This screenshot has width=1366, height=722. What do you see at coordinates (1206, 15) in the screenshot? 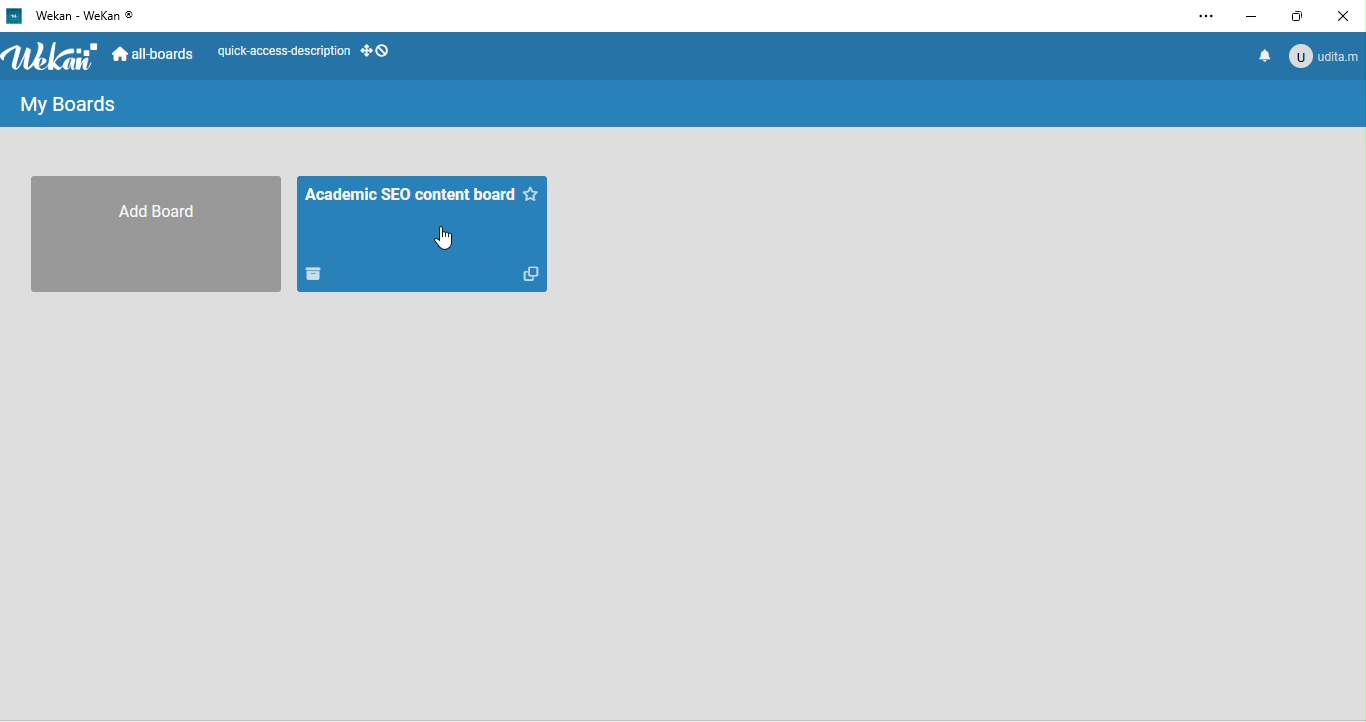
I see `options` at bounding box center [1206, 15].